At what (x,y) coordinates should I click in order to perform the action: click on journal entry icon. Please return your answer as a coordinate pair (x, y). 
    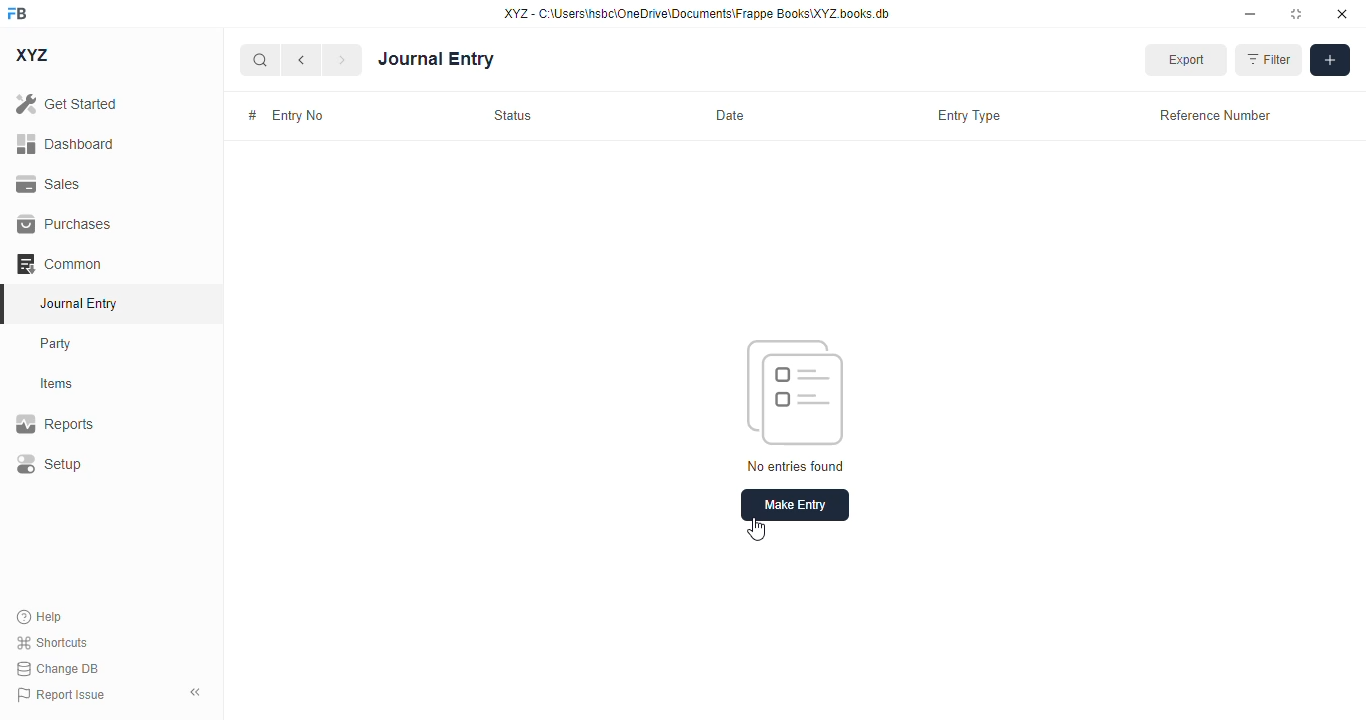
    Looking at the image, I should click on (795, 394).